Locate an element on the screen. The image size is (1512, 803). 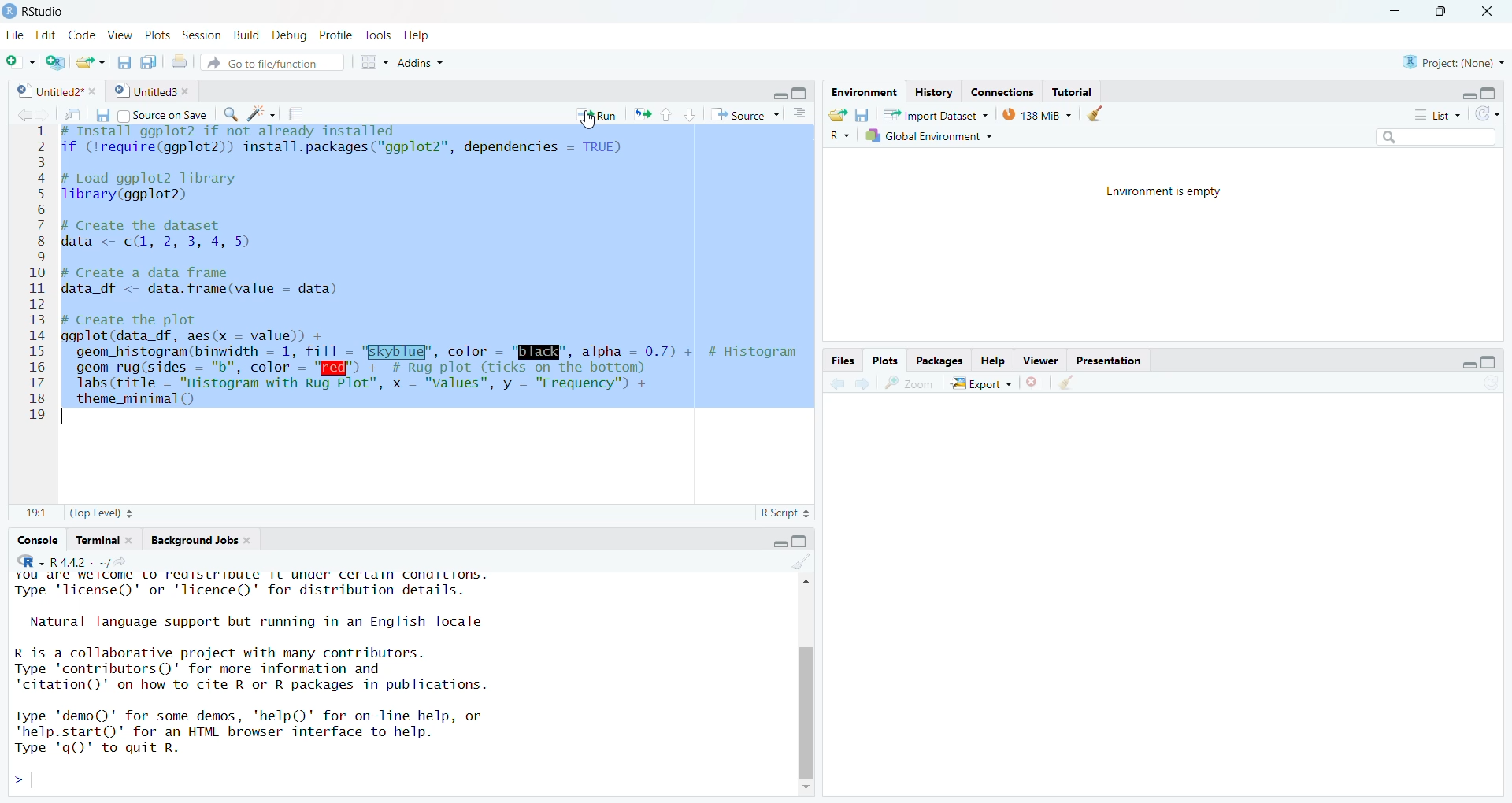
‘Console is located at coordinates (32, 542).